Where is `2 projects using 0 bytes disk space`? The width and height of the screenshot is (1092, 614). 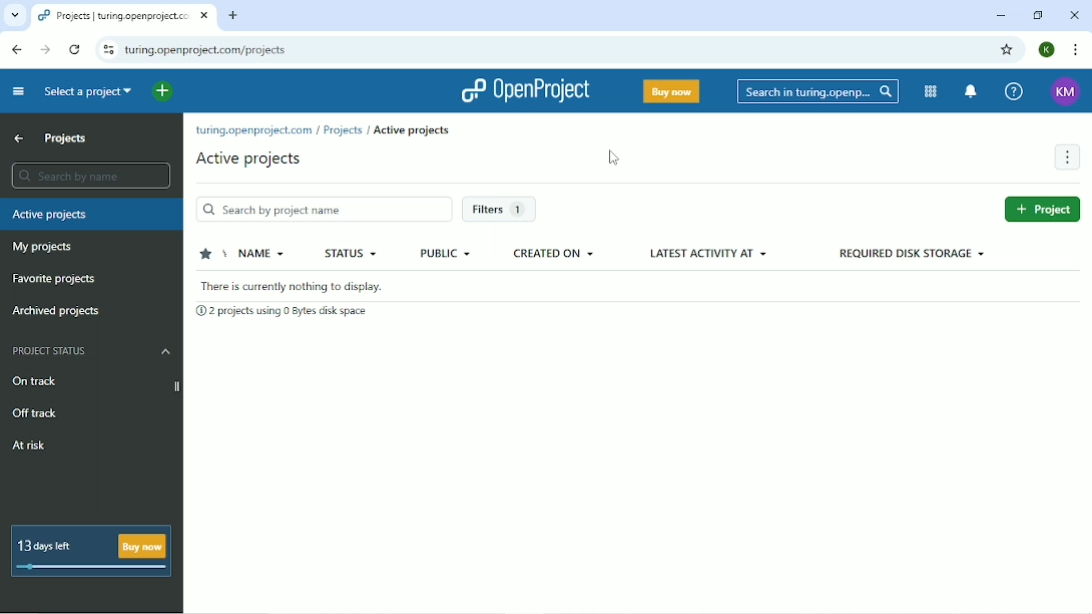
2 projects using 0 bytes disk space is located at coordinates (285, 313).